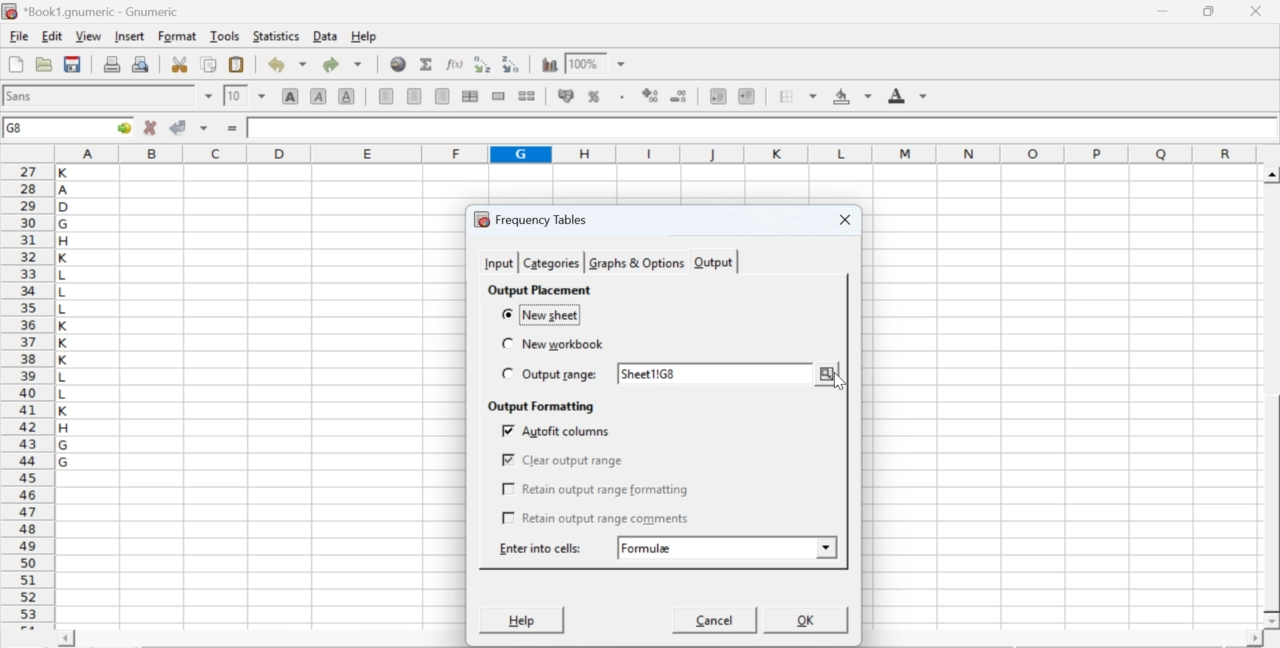  Describe the element at coordinates (538, 290) in the screenshot. I see `output placement` at that location.